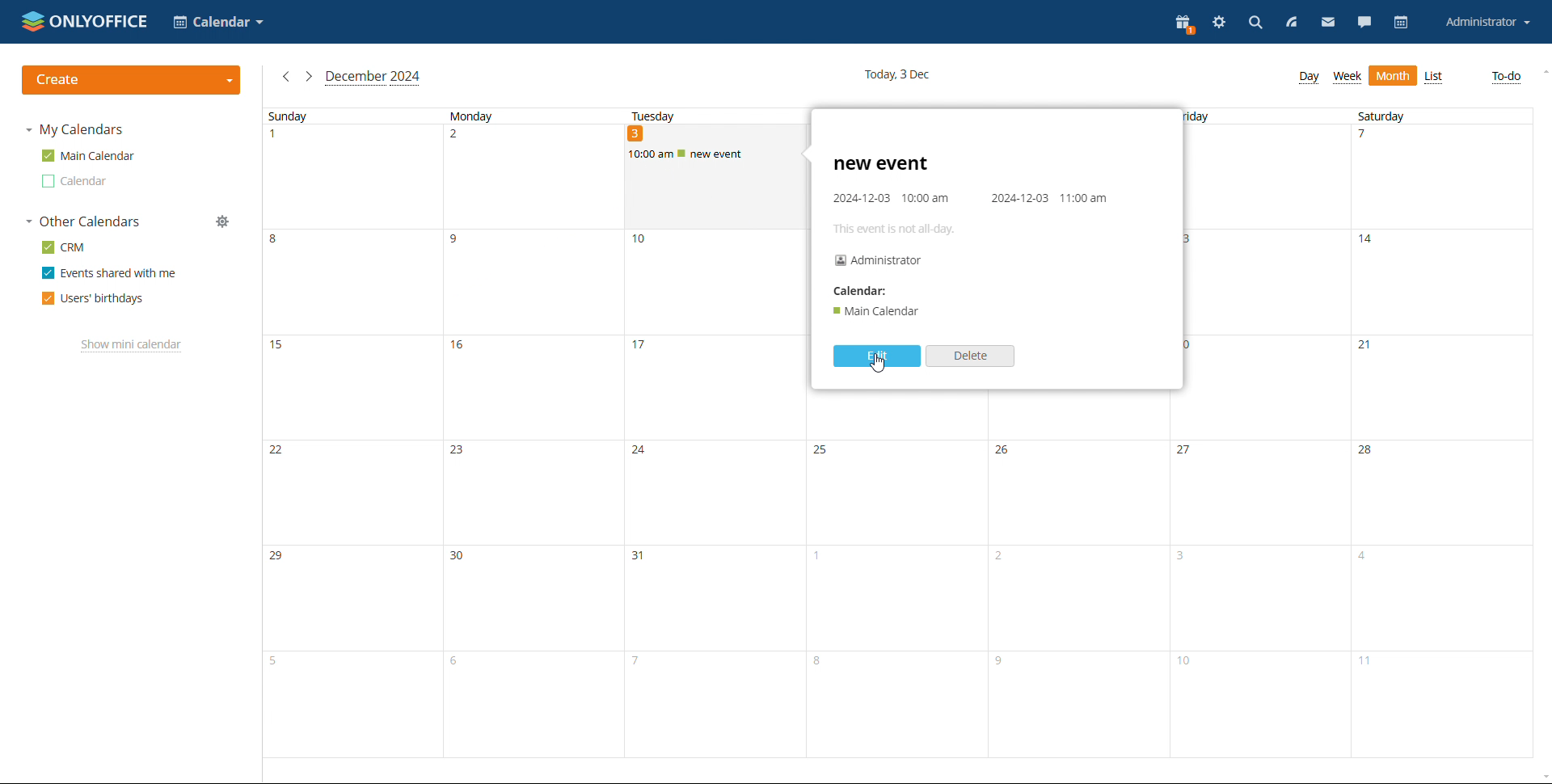 The width and height of the screenshot is (1552, 784). I want to click on 5, so click(352, 704).